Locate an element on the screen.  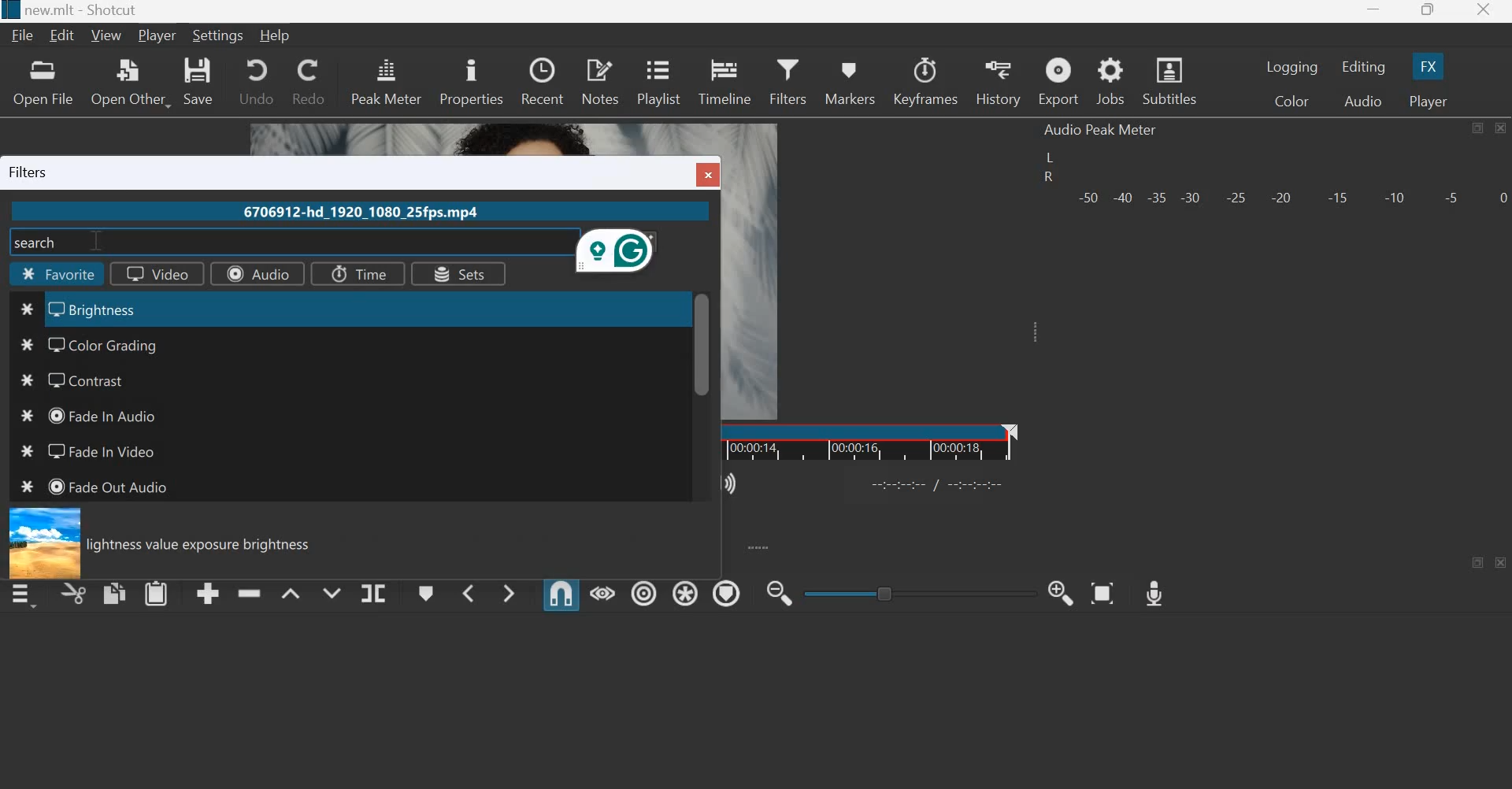
notes is located at coordinates (600, 80).